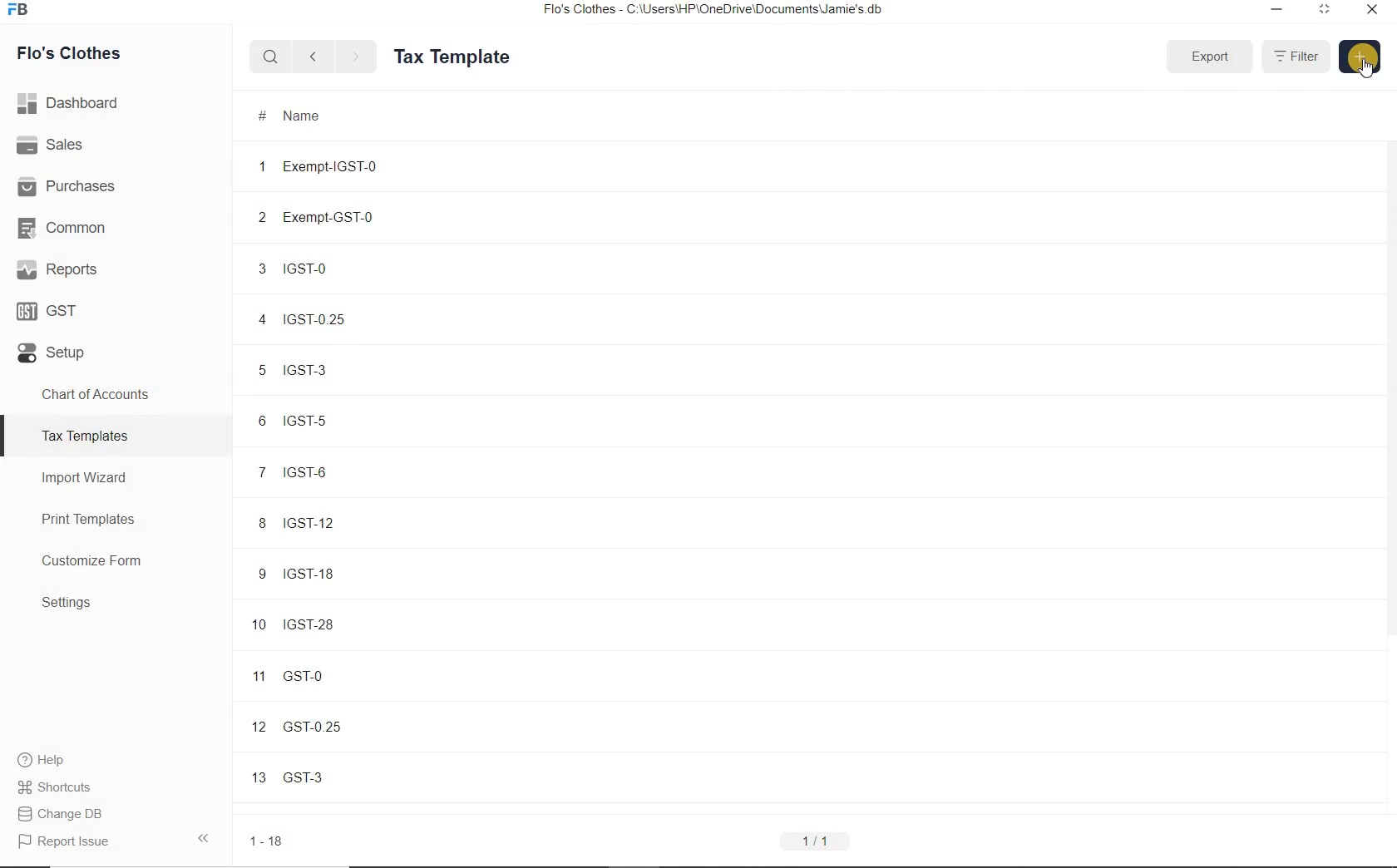 This screenshot has height=868, width=1397. What do you see at coordinates (357, 57) in the screenshot?
I see `Forward` at bounding box center [357, 57].